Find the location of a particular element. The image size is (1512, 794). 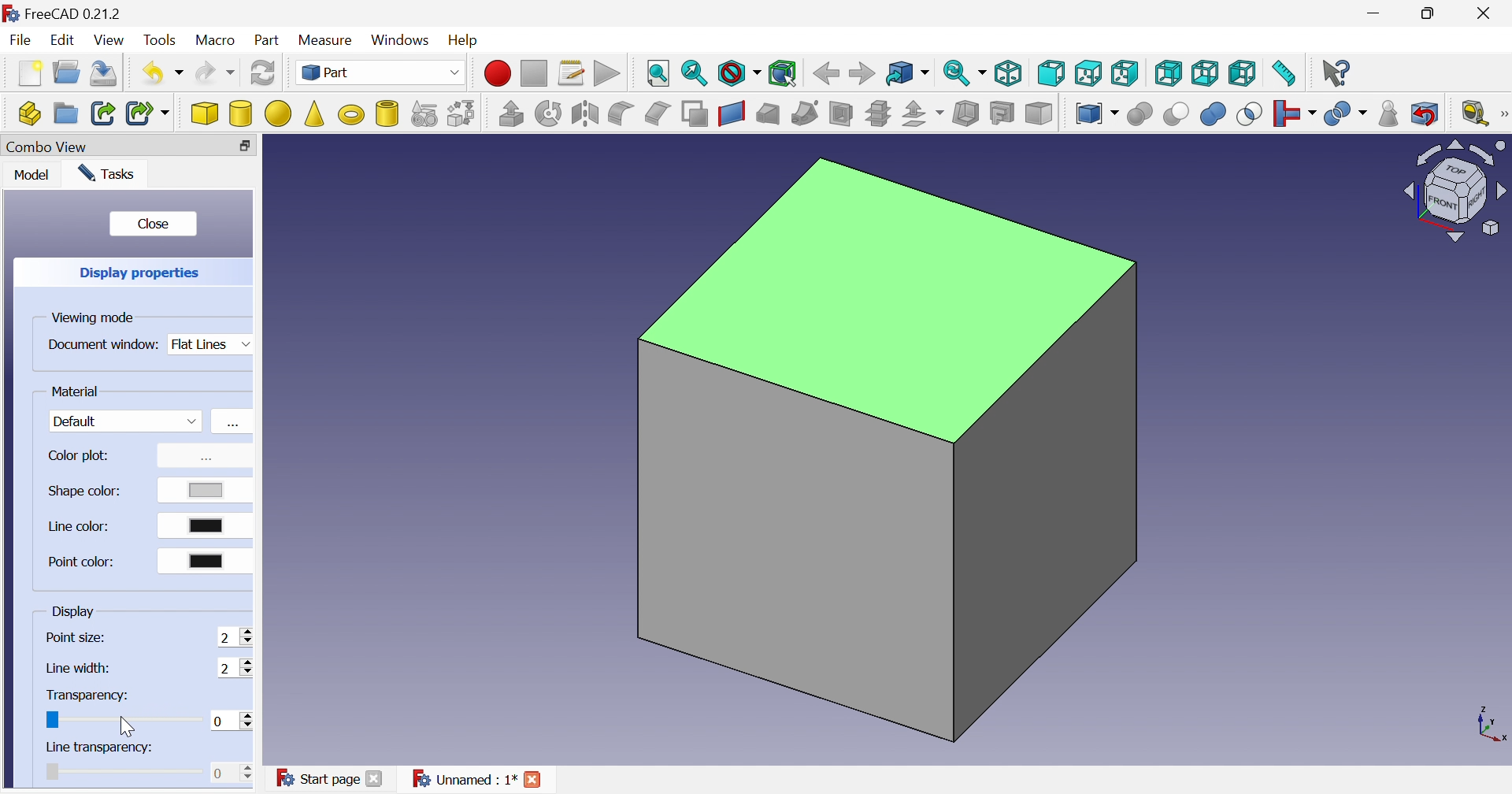

Color plot is located at coordinates (81, 457).